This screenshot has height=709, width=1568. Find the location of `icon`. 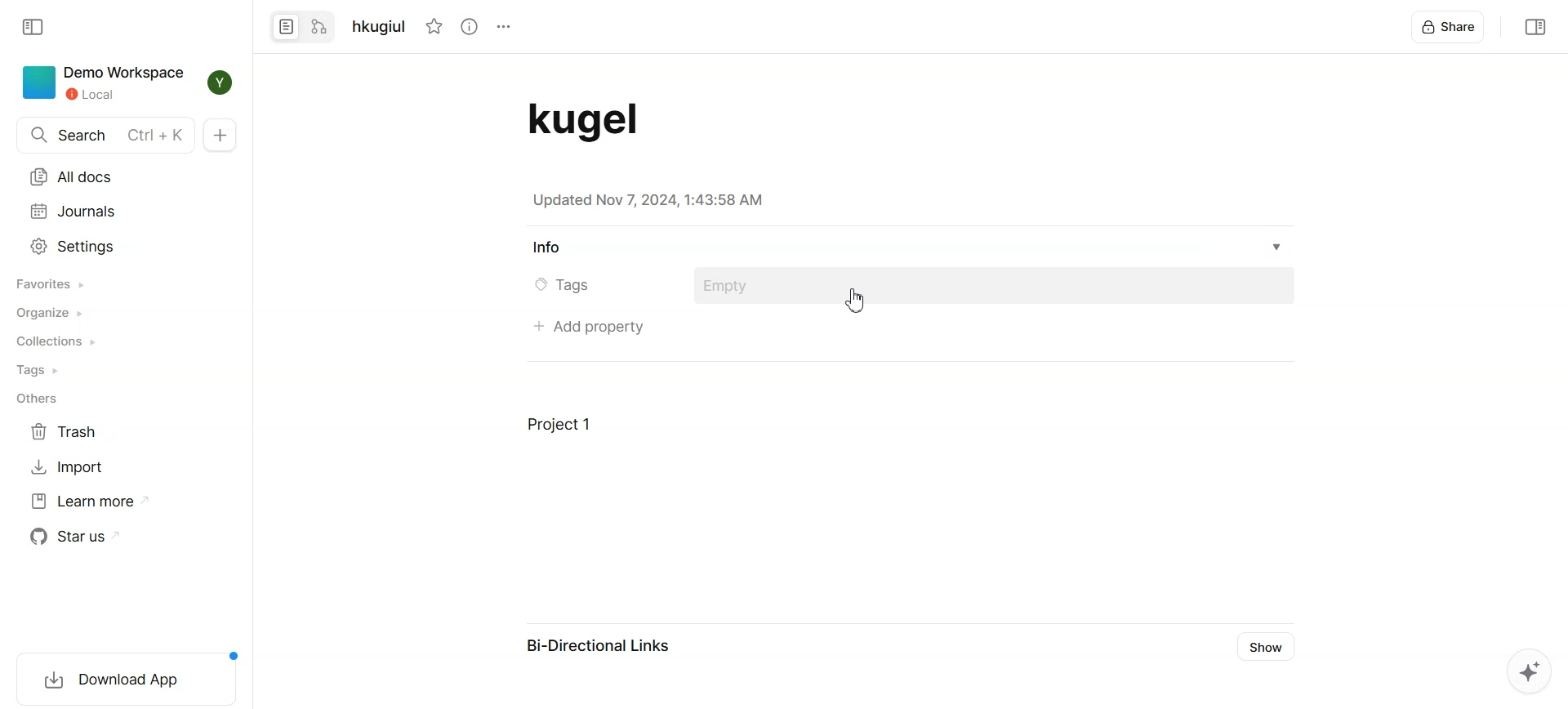

icon is located at coordinates (38, 82).